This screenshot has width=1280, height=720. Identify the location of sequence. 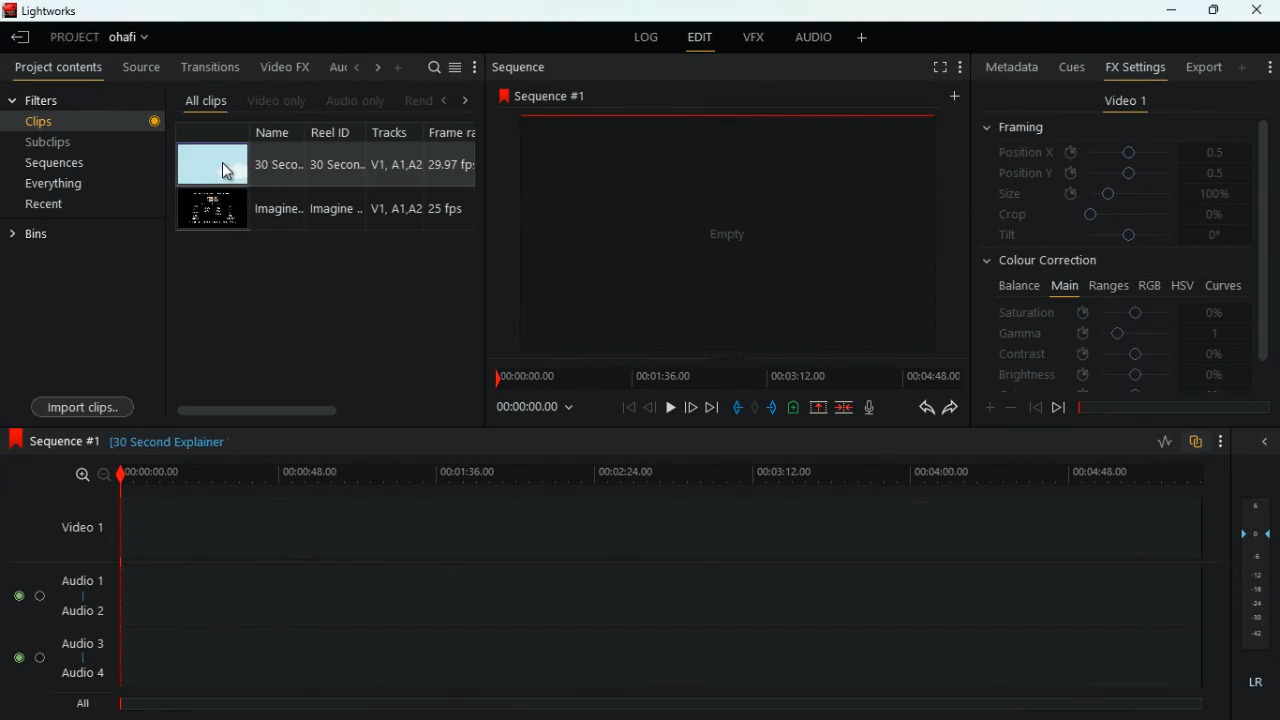
(544, 97).